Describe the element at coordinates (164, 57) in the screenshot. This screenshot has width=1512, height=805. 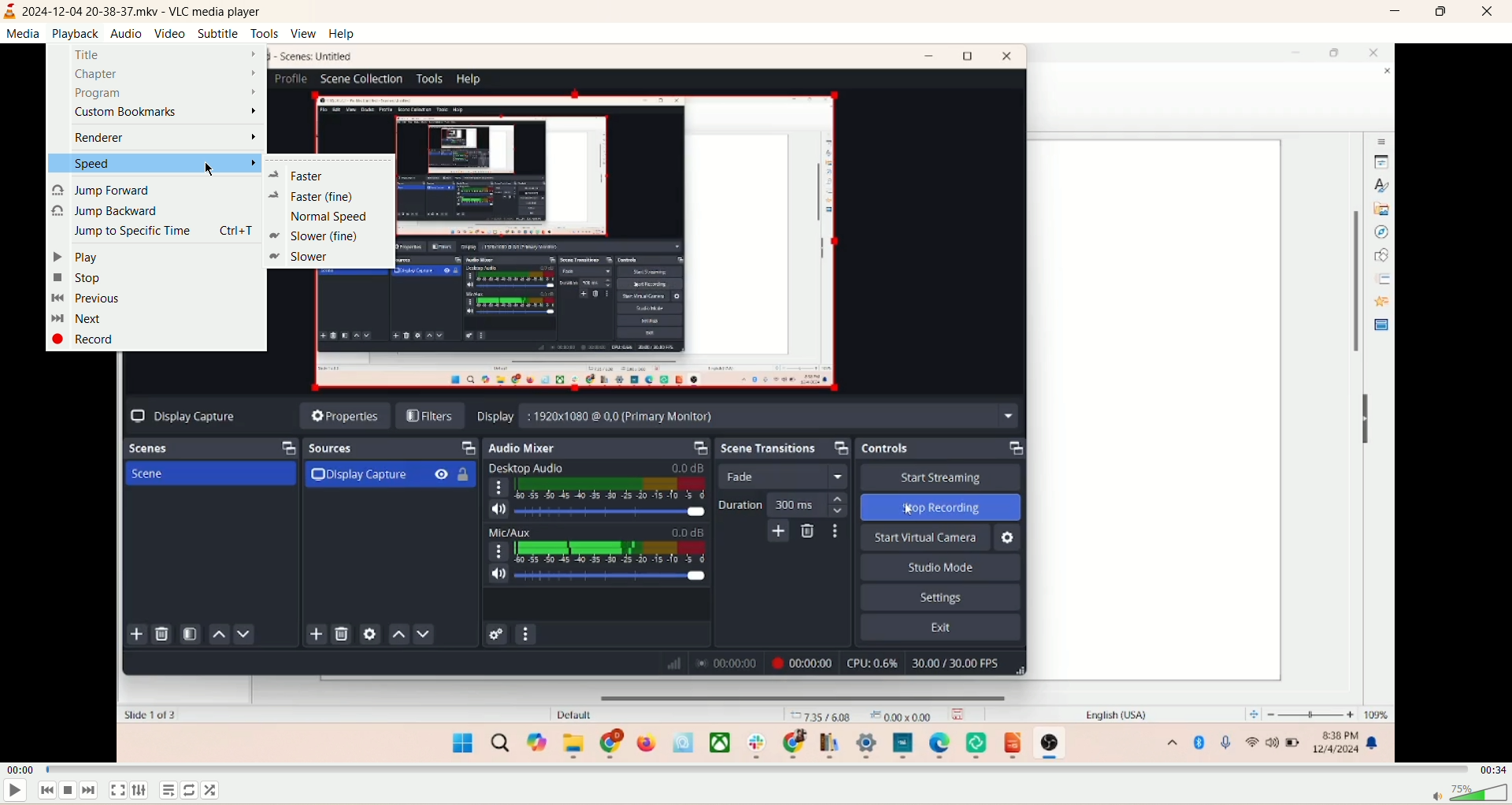
I see `title` at that location.